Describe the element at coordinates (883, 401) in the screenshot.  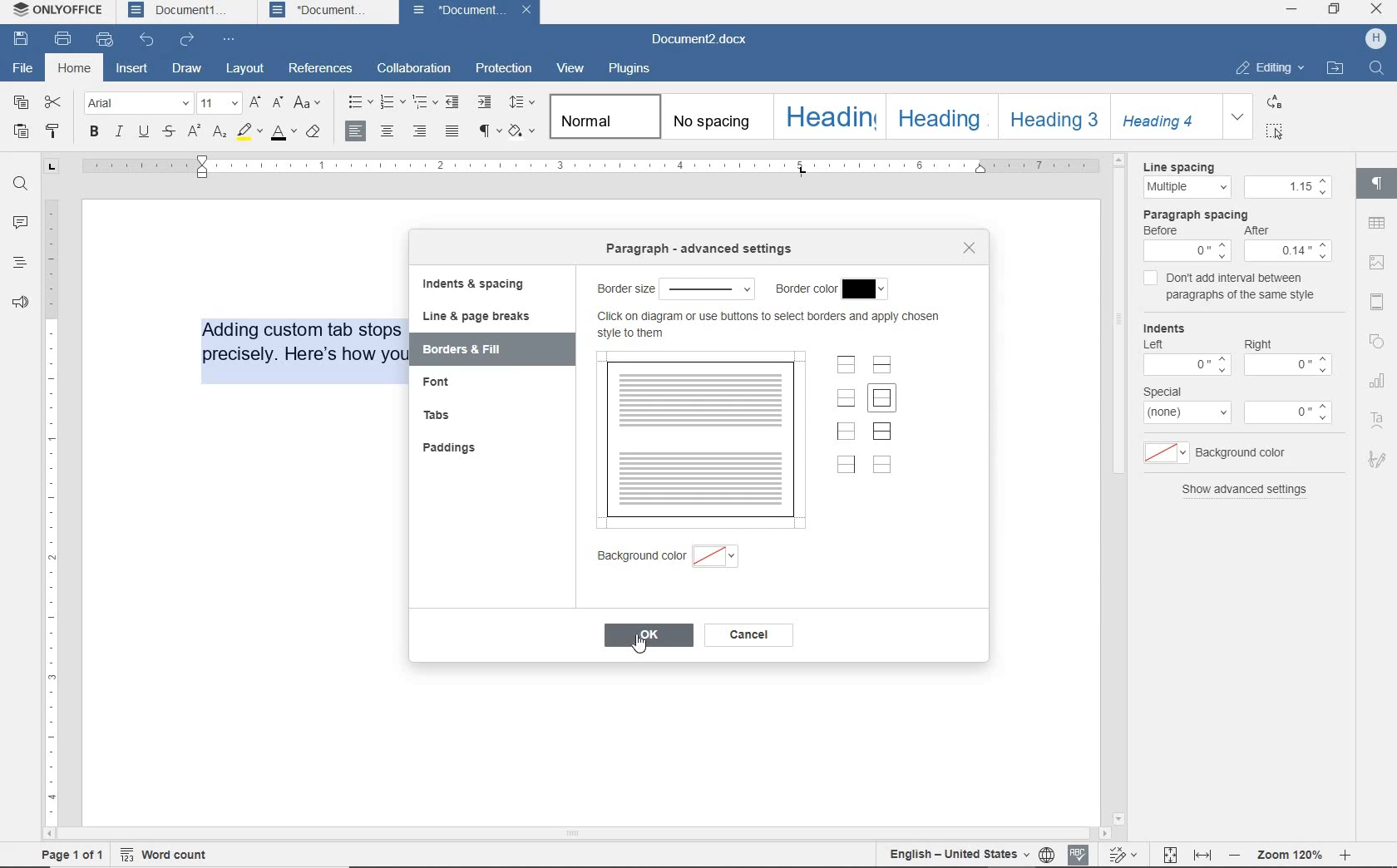
I see `set outer border only` at that location.